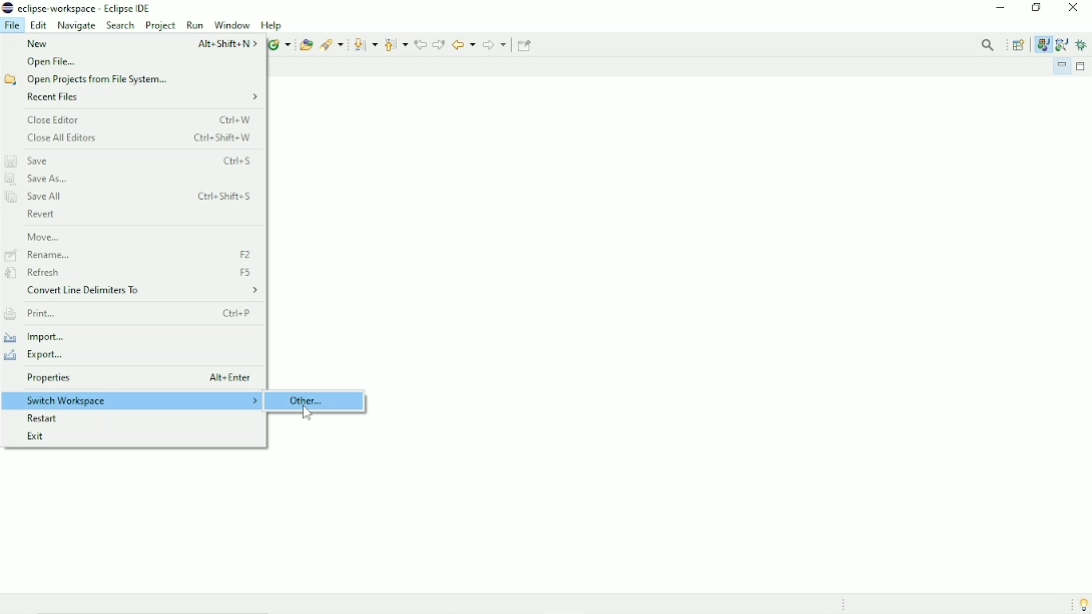 The width and height of the screenshot is (1092, 614). What do you see at coordinates (1062, 66) in the screenshot?
I see `Minimize` at bounding box center [1062, 66].